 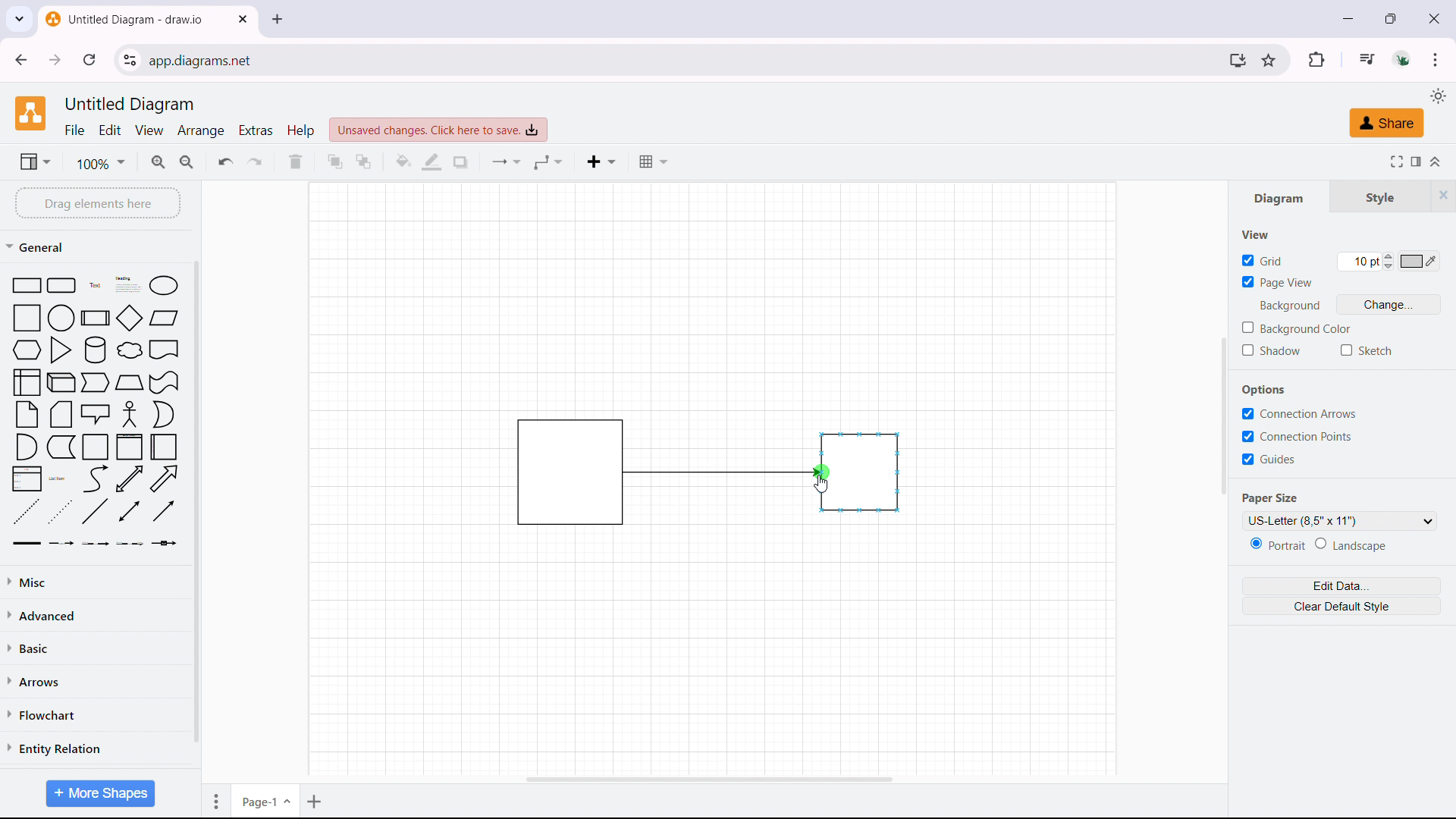 I want to click on advanced, so click(x=96, y=614).